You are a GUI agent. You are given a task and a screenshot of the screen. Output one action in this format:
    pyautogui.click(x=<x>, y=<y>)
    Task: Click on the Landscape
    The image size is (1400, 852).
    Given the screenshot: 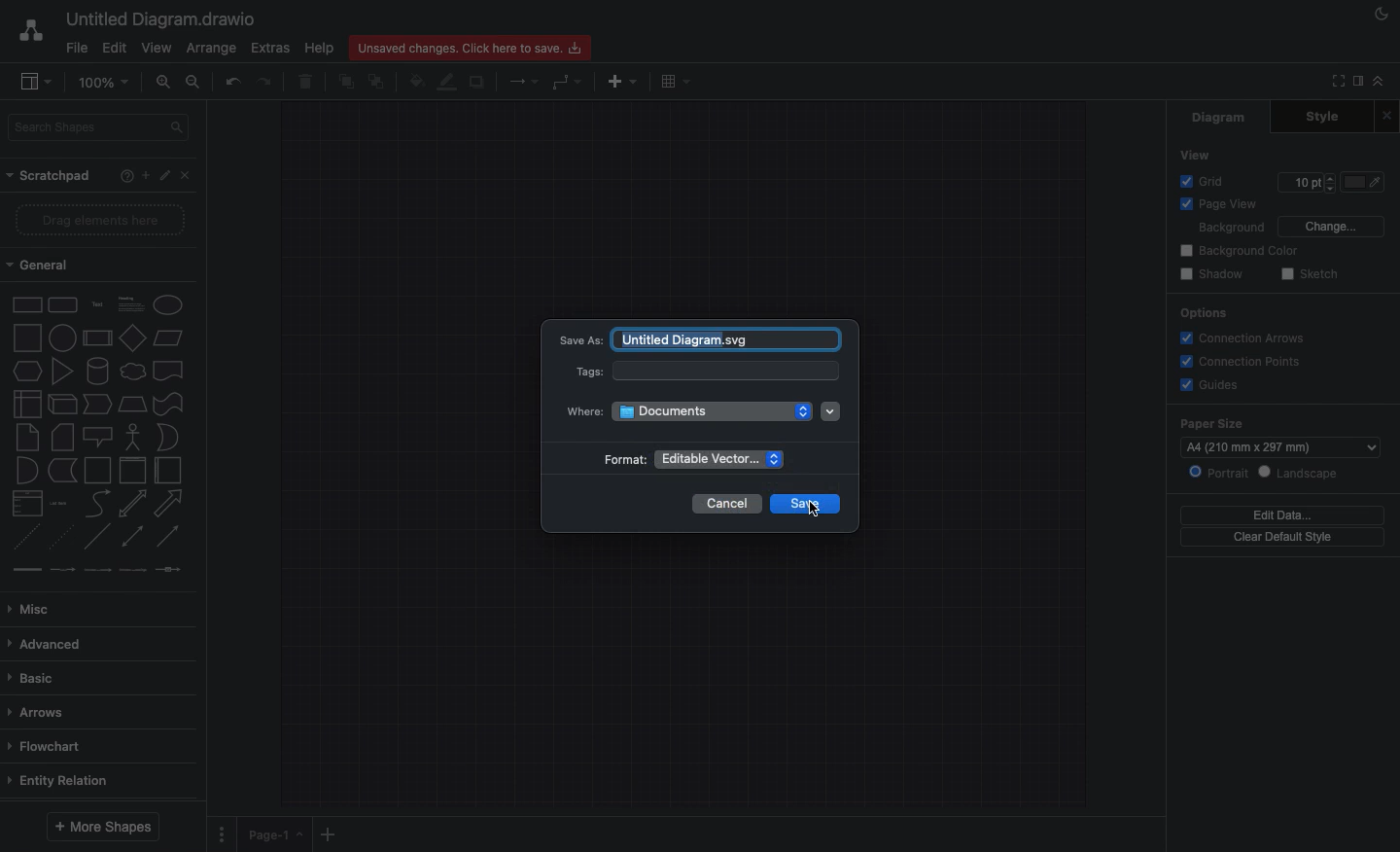 What is the action you would take?
    pyautogui.click(x=1307, y=472)
    